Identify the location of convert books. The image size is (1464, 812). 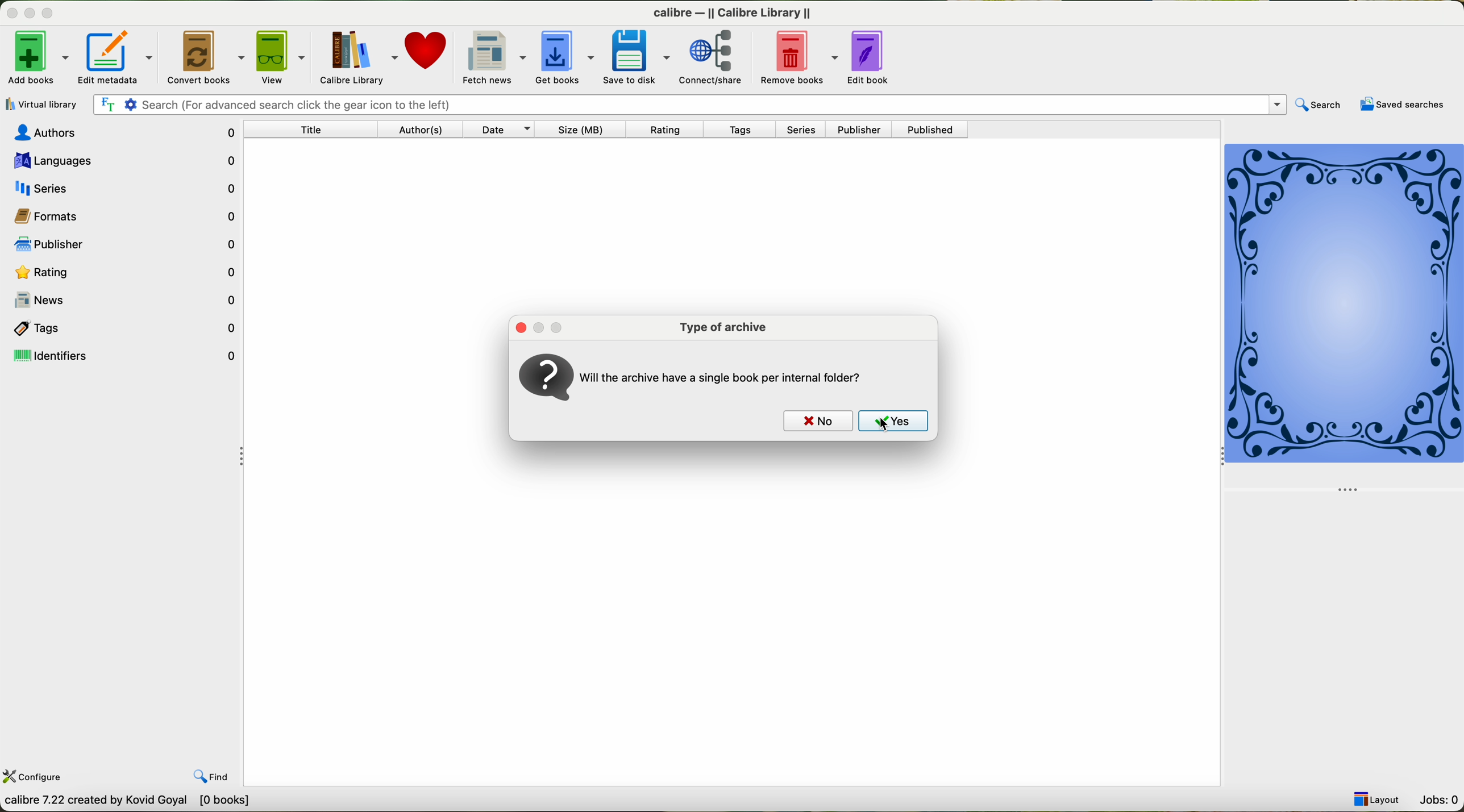
(205, 58).